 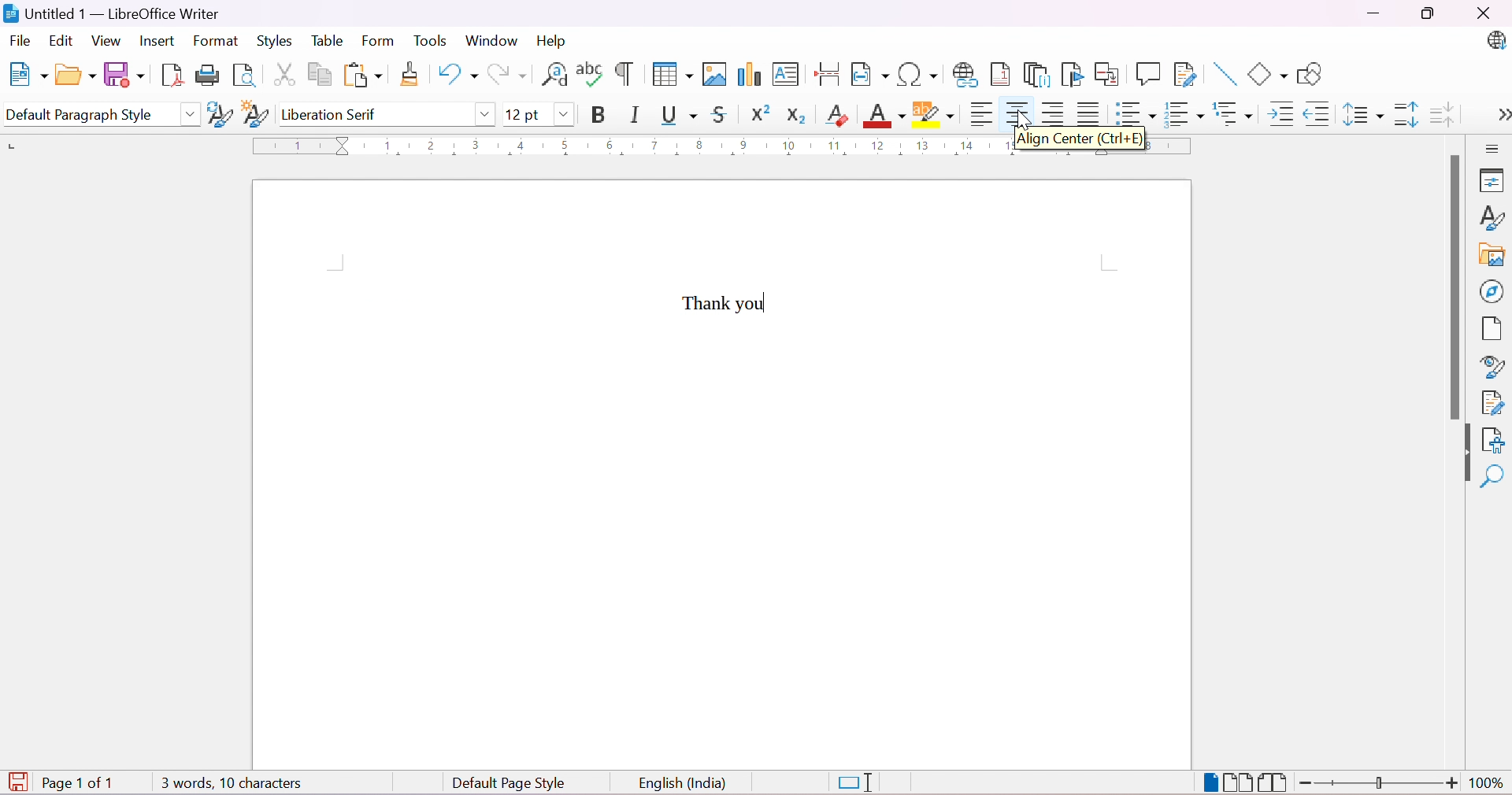 What do you see at coordinates (317, 72) in the screenshot?
I see `Copy` at bounding box center [317, 72].